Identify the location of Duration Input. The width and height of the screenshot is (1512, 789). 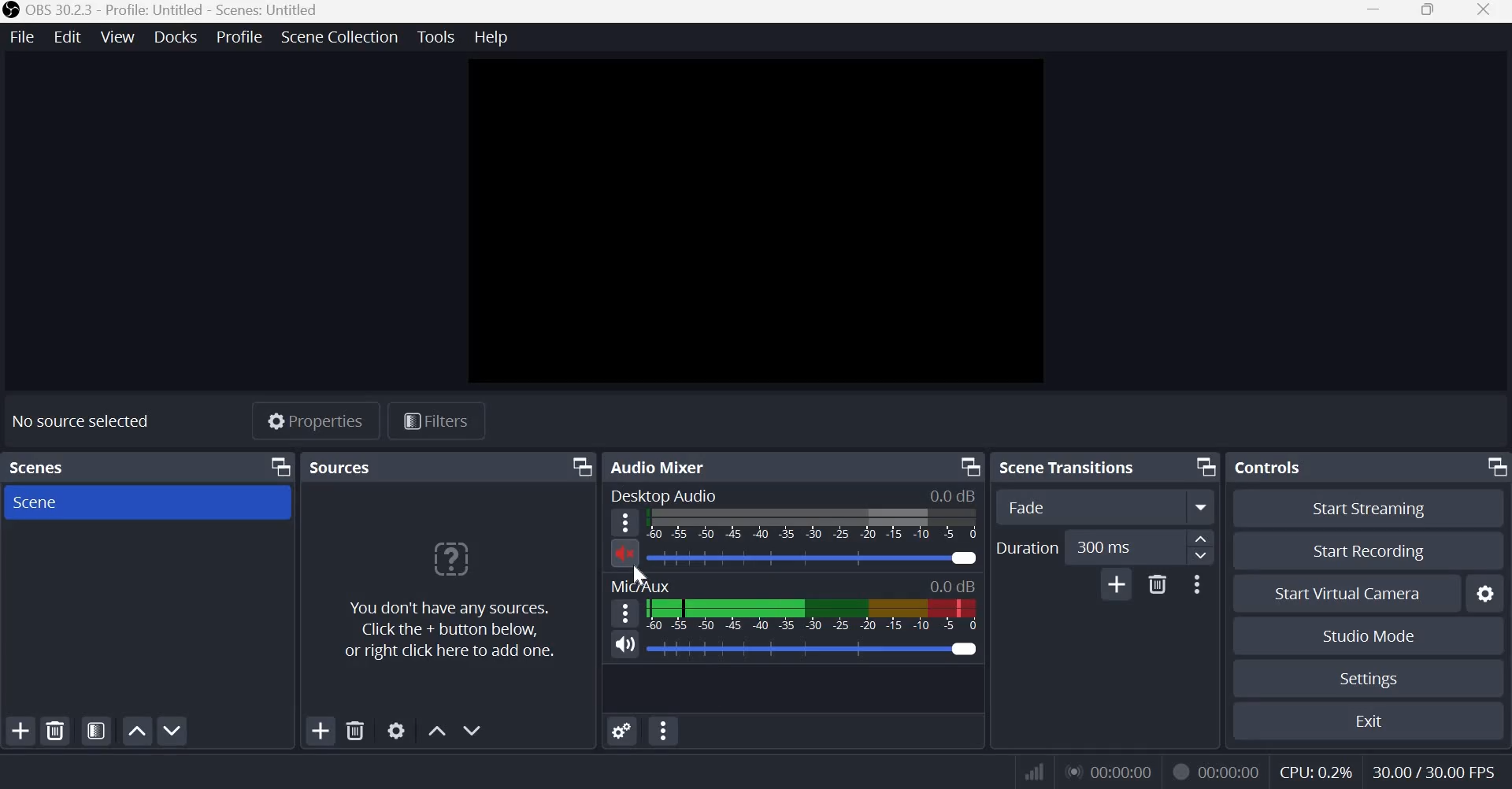
(1140, 546).